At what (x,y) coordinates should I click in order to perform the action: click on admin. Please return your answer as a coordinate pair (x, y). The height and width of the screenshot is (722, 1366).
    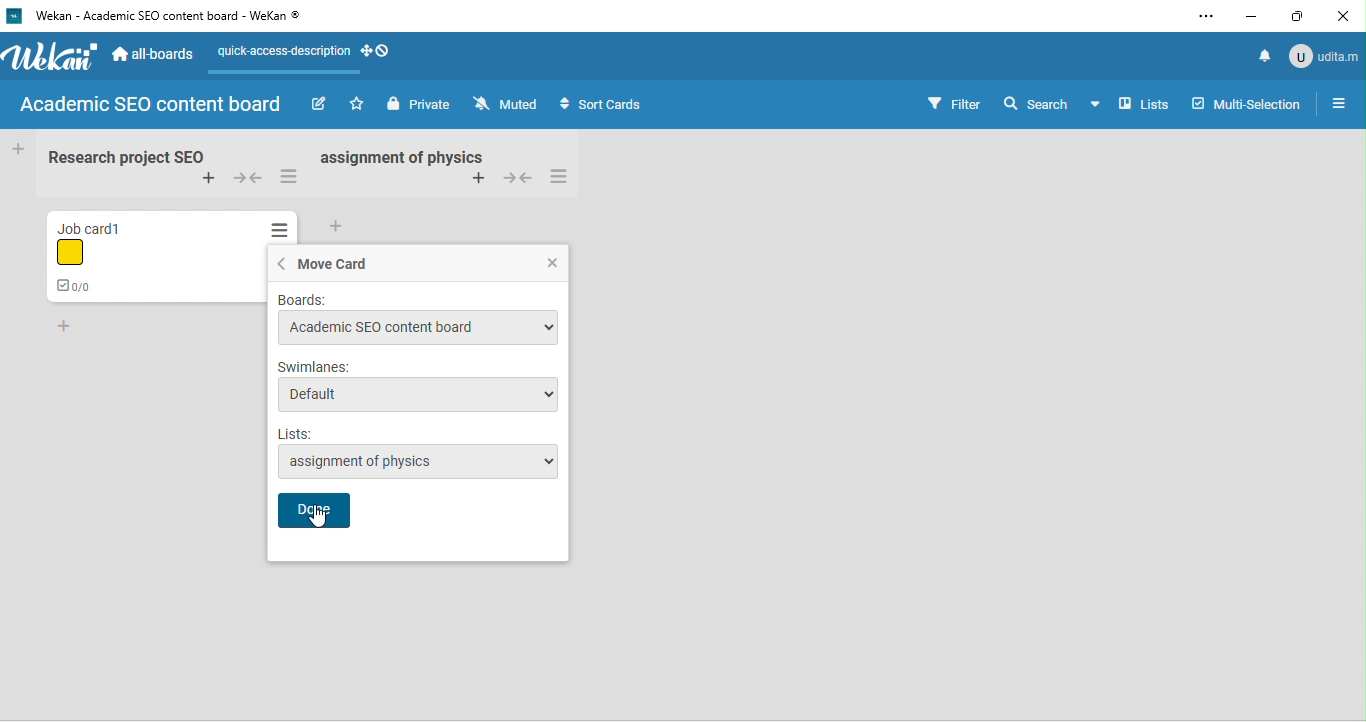
    Looking at the image, I should click on (1325, 55).